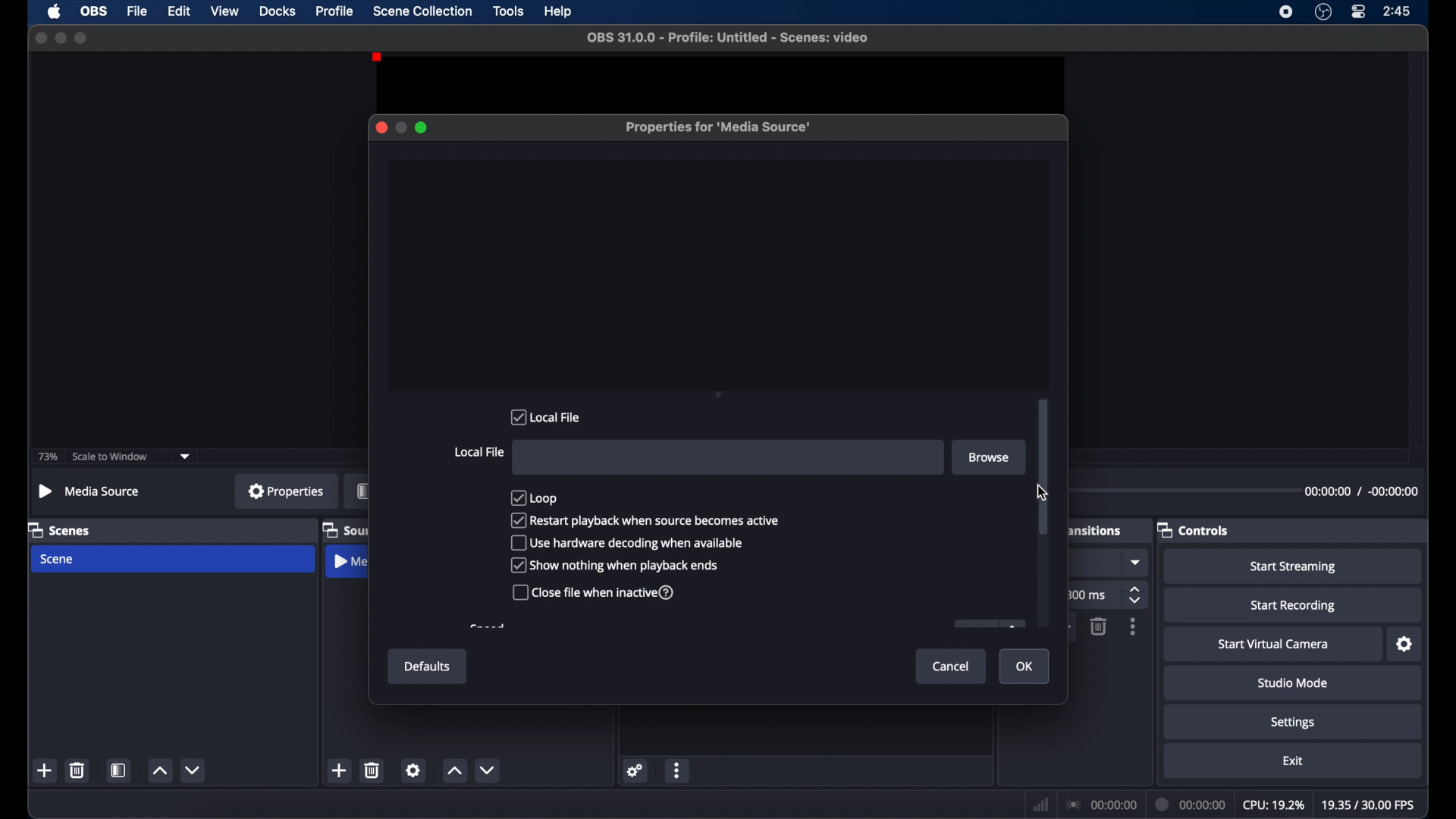 The image size is (1456, 819). What do you see at coordinates (119, 770) in the screenshot?
I see `scene filters` at bounding box center [119, 770].